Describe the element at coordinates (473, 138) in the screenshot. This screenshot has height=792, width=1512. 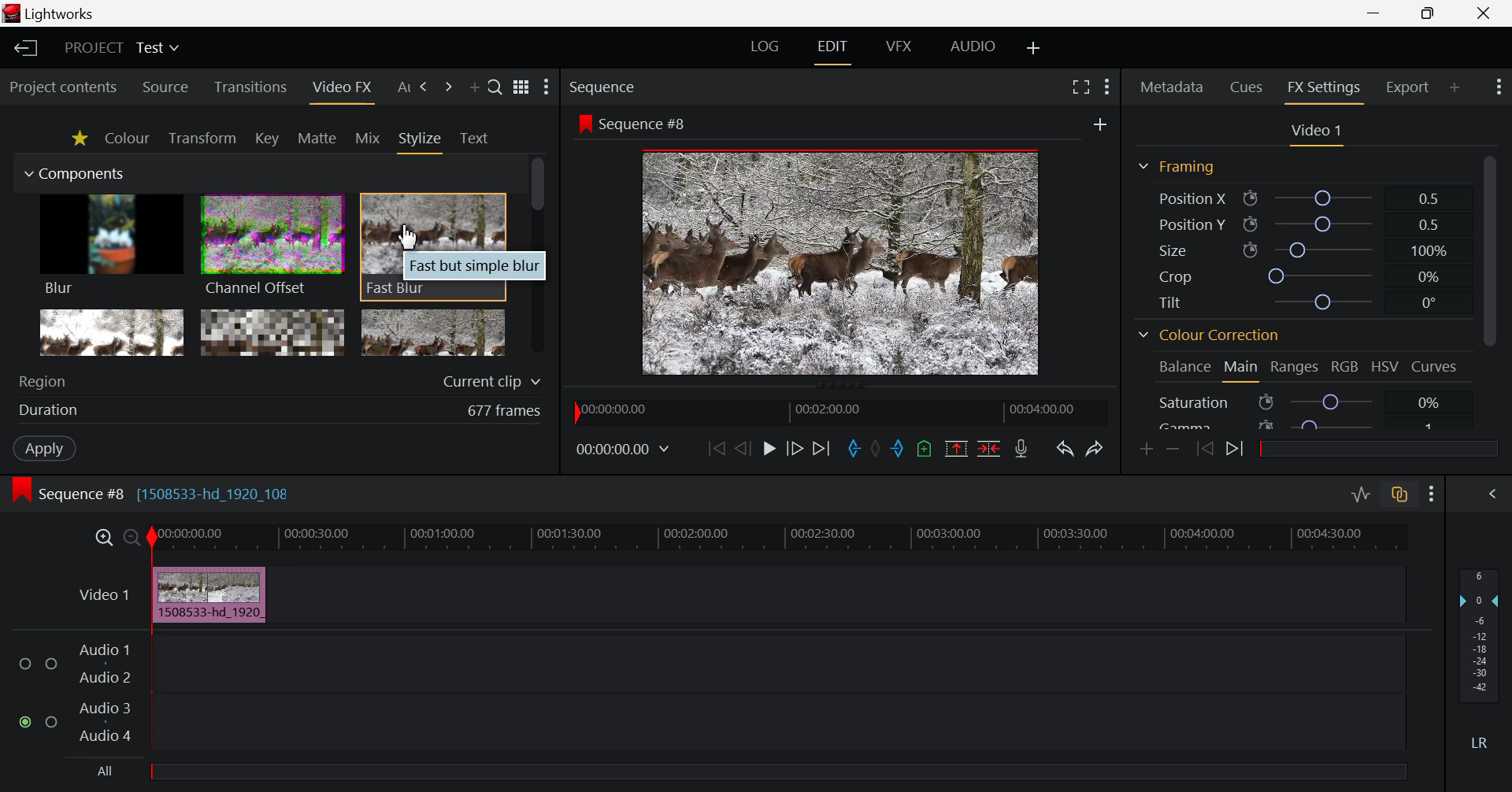
I see `Text` at that location.